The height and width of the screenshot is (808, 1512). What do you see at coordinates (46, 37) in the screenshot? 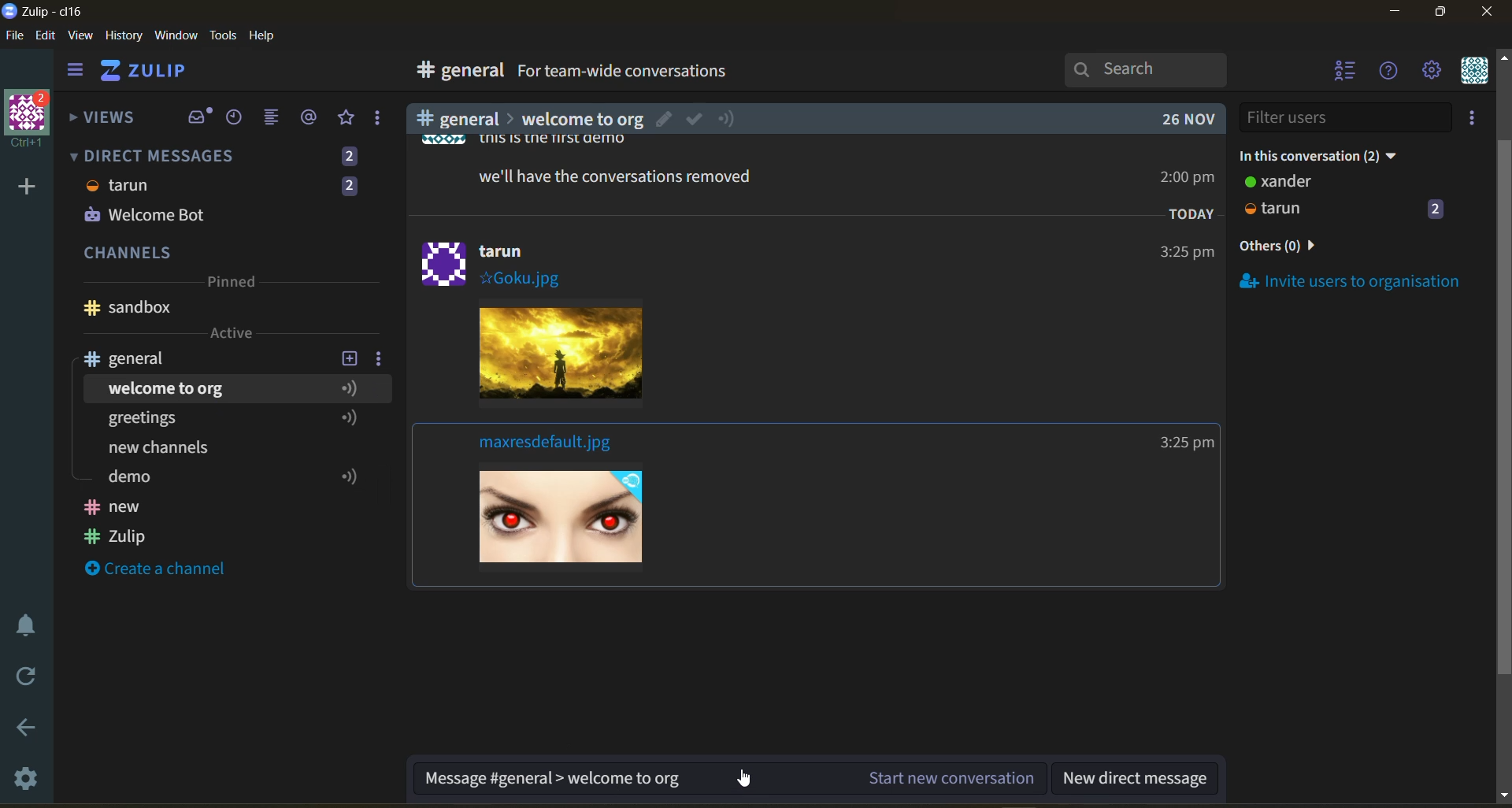
I see `edit` at bounding box center [46, 37].